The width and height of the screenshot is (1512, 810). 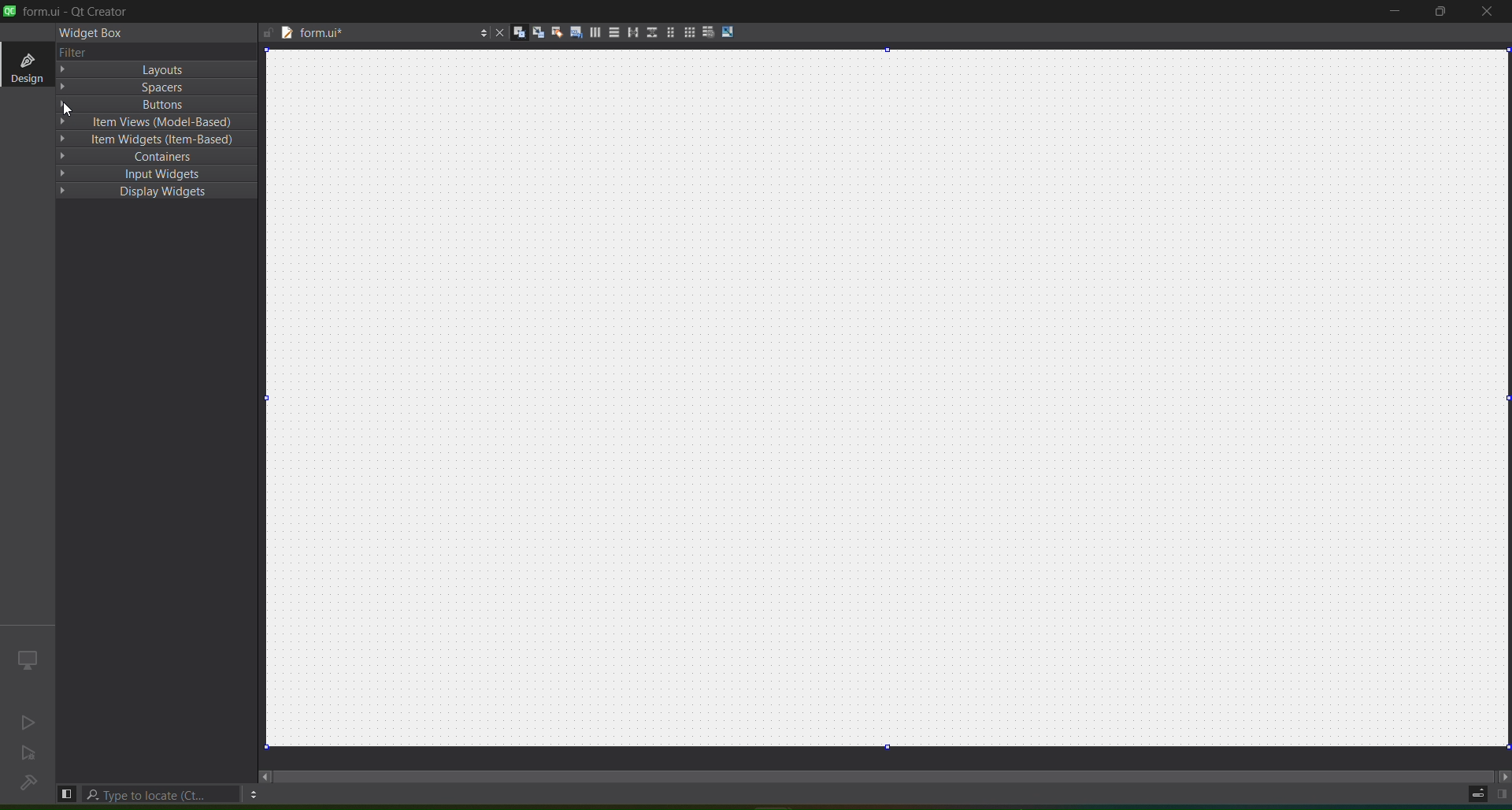 I want to click on Item Views, so click(x=157, y=121).